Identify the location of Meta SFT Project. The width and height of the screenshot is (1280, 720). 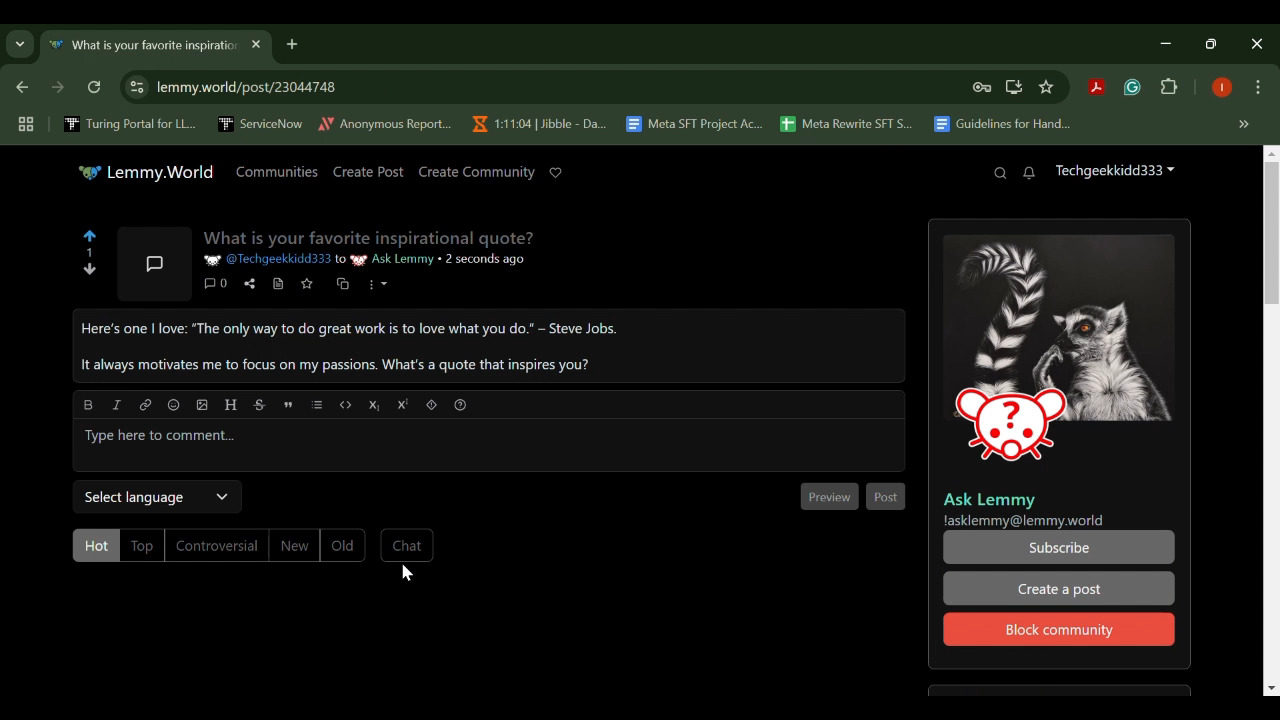
(693, 125).